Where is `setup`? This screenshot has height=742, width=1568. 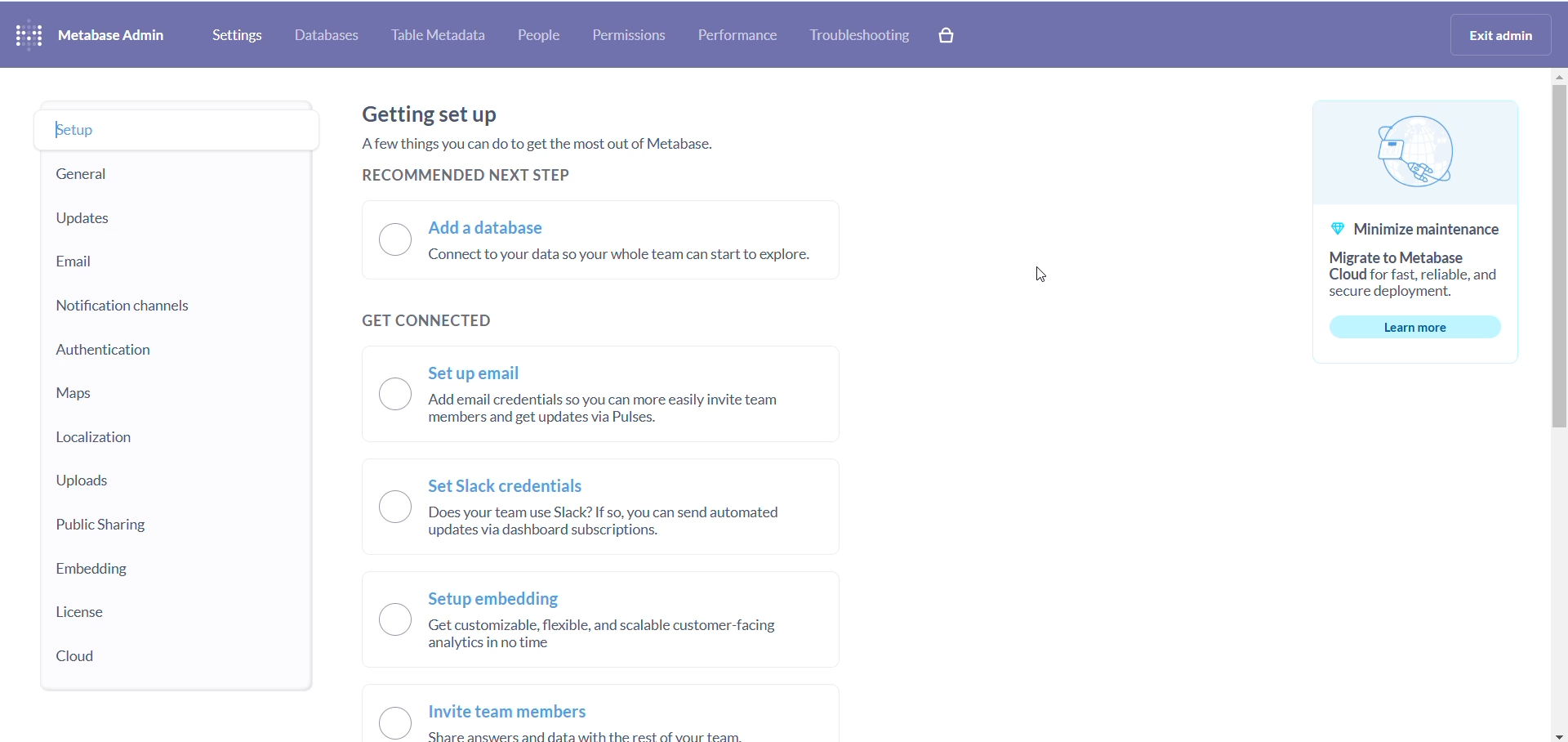
setup is located at coordinates (86, 132).